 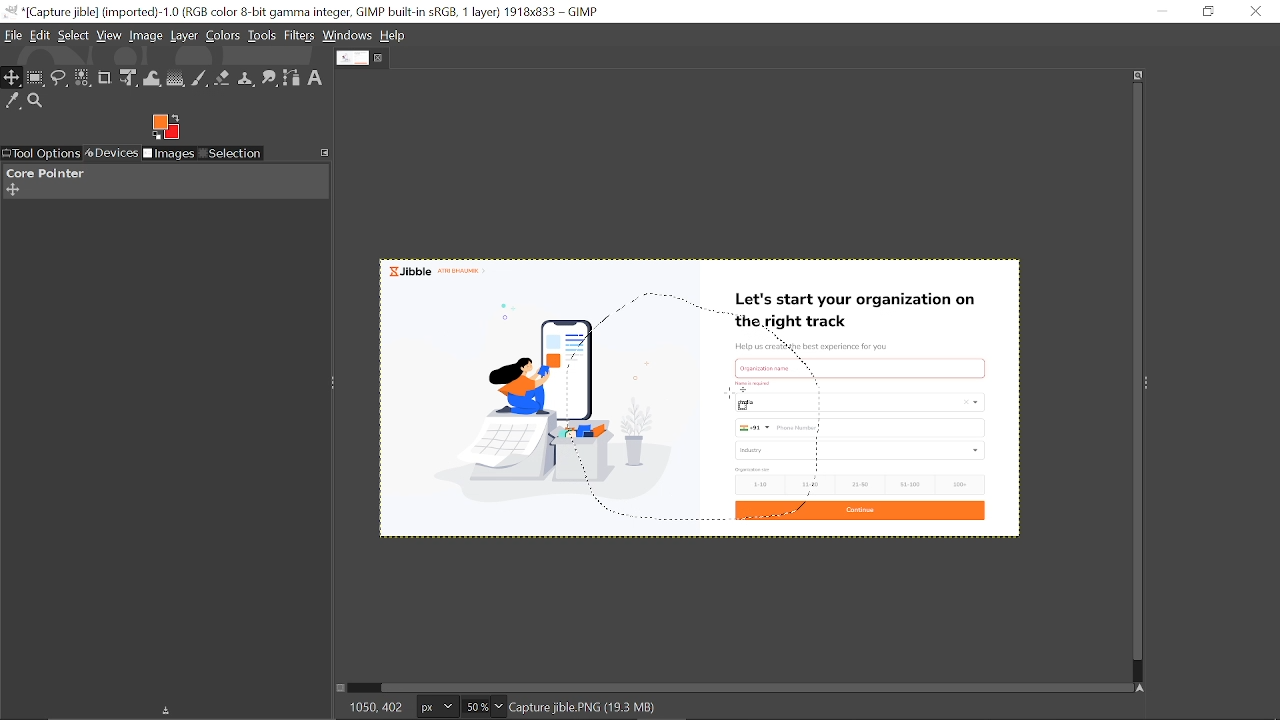 I want to click on Windows, so click(x=347, y=35).